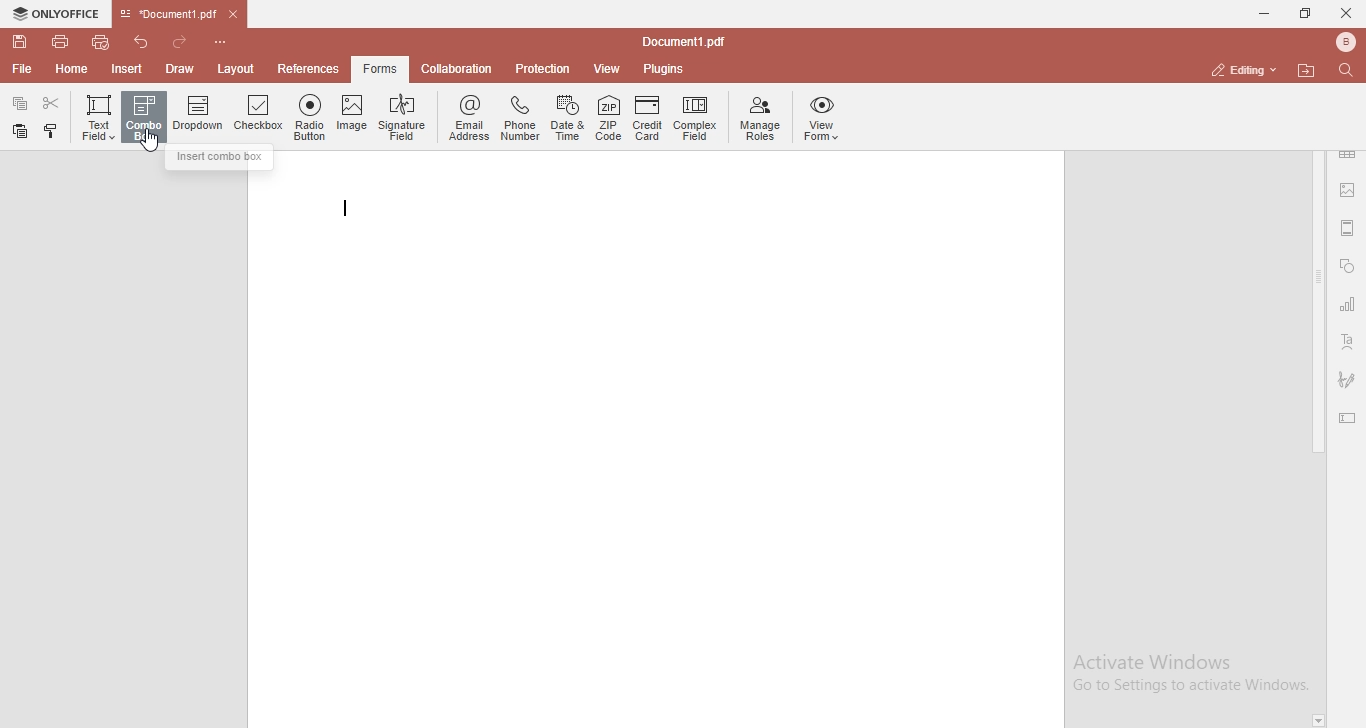 Image resolution: width=1366 pixels, height=728 pixels. What do you see at coordinates (239, 69) in the screenshot?
I see `layout` at bounding box center [239, 69].